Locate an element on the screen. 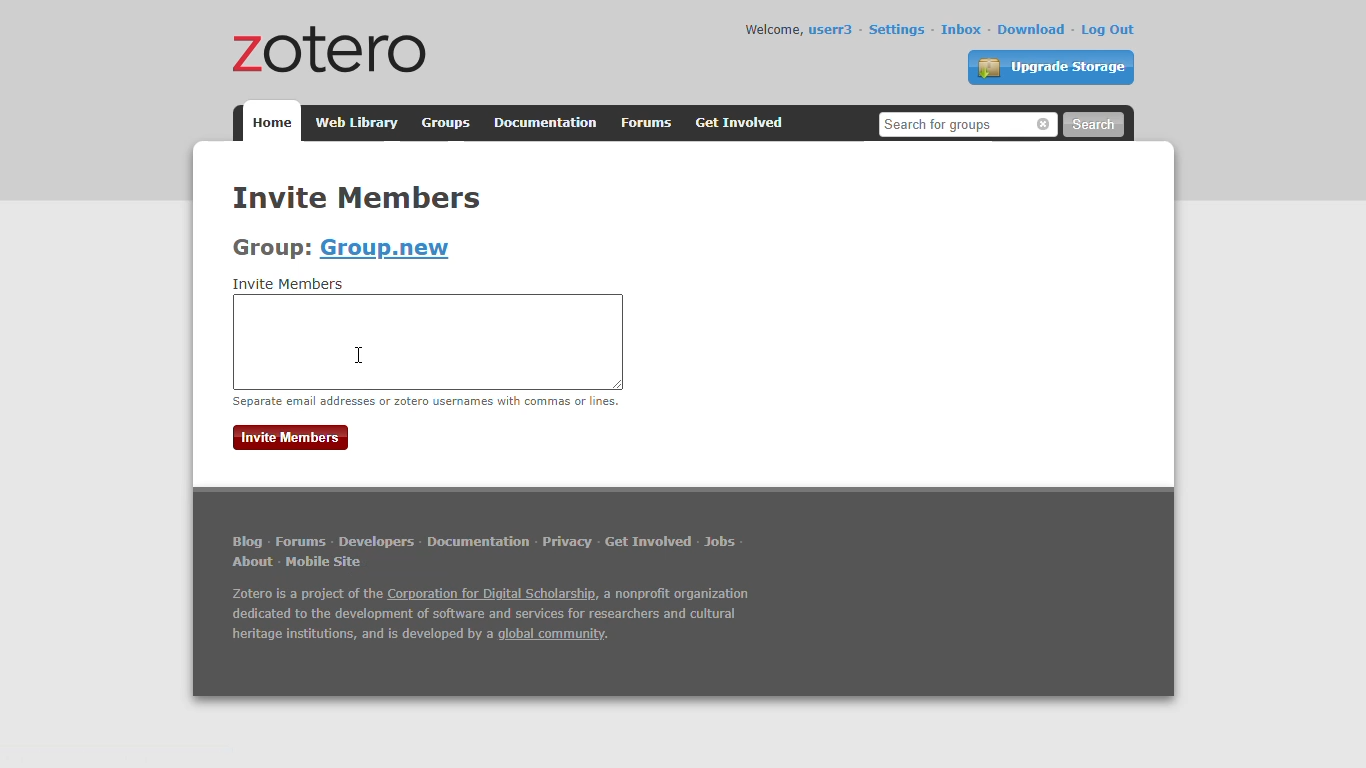  search for people is located at coordinates (966, 124).